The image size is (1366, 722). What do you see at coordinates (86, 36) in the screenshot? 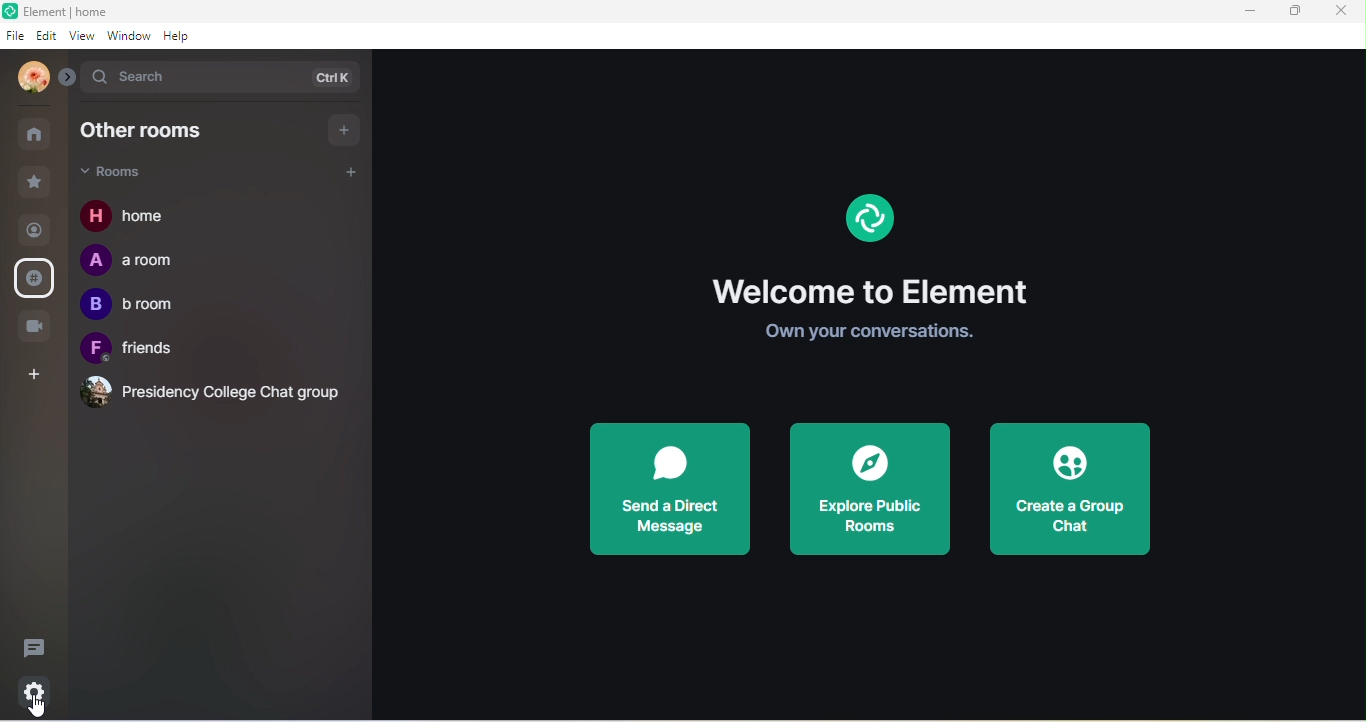
I see `view` at bounding box center [86, 36].